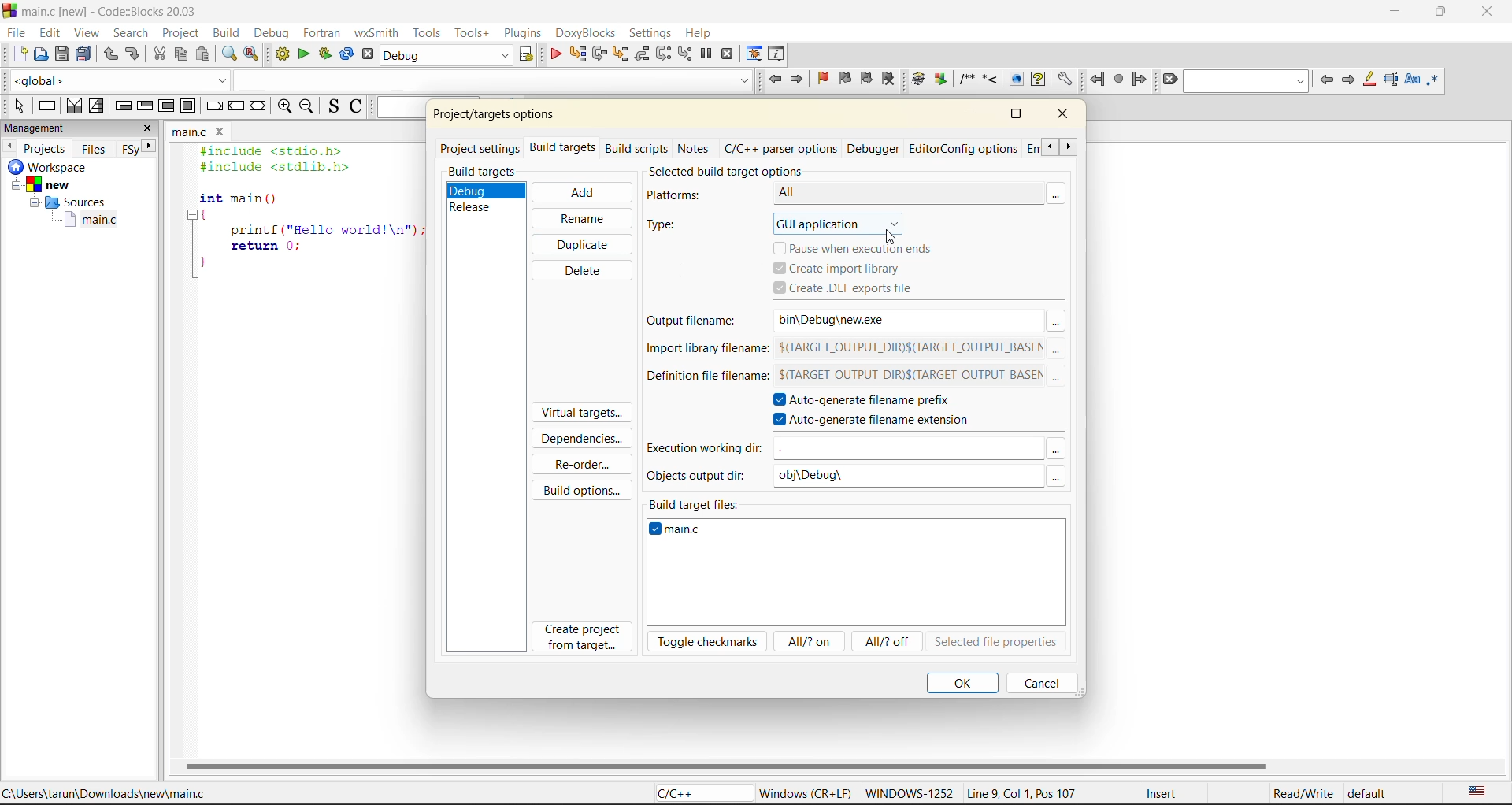  Describe the element at coordinates (703, 380) in the screenshot. I see `definition file name` at that location.